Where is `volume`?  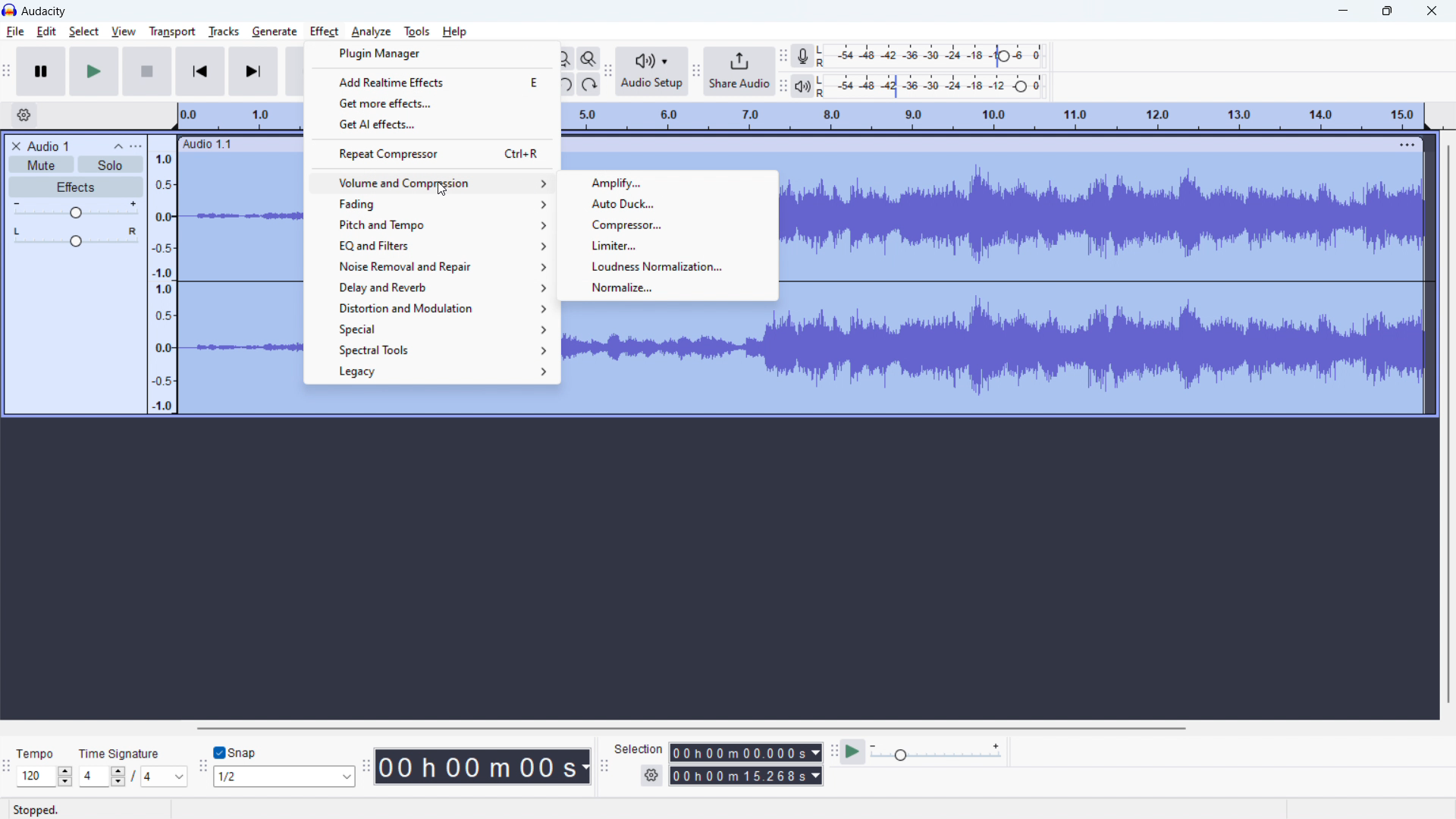
volume is located at coordinates (74, 210).